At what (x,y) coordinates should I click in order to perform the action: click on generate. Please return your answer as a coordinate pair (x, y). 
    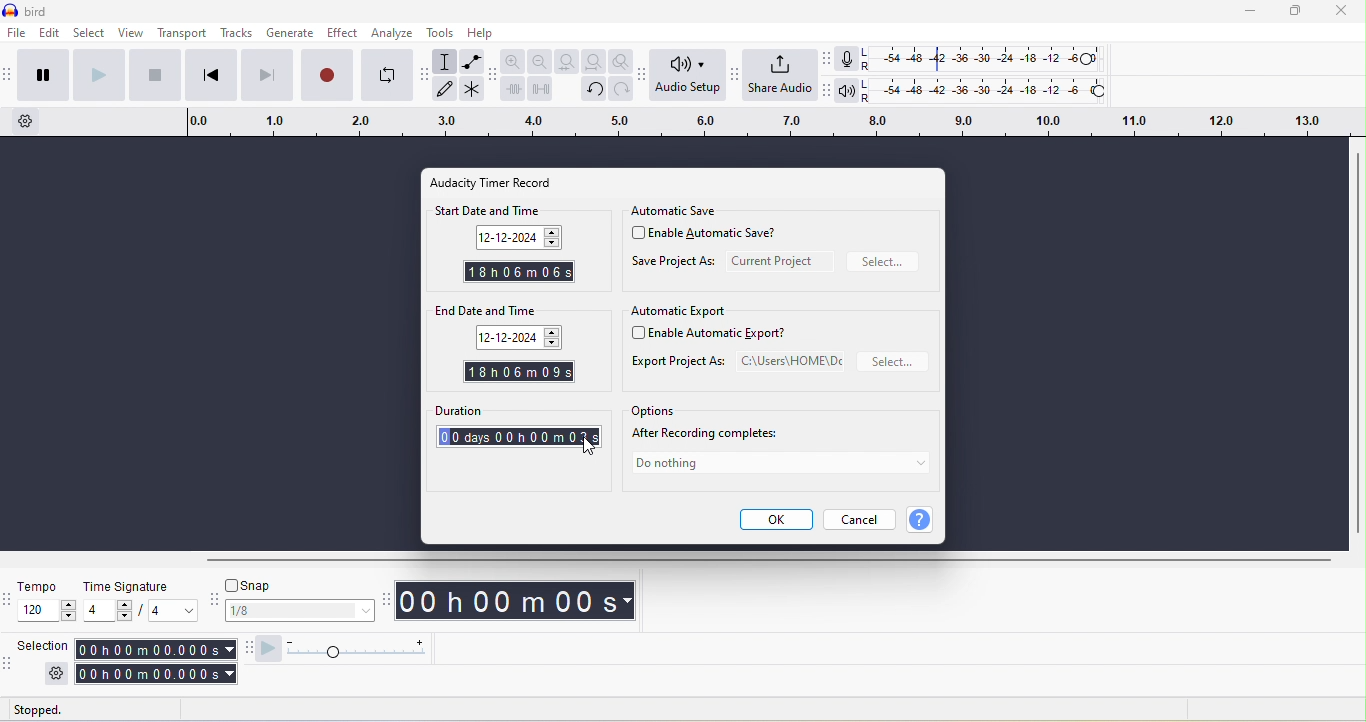
    Looking at the image, I should click on (290, 34).